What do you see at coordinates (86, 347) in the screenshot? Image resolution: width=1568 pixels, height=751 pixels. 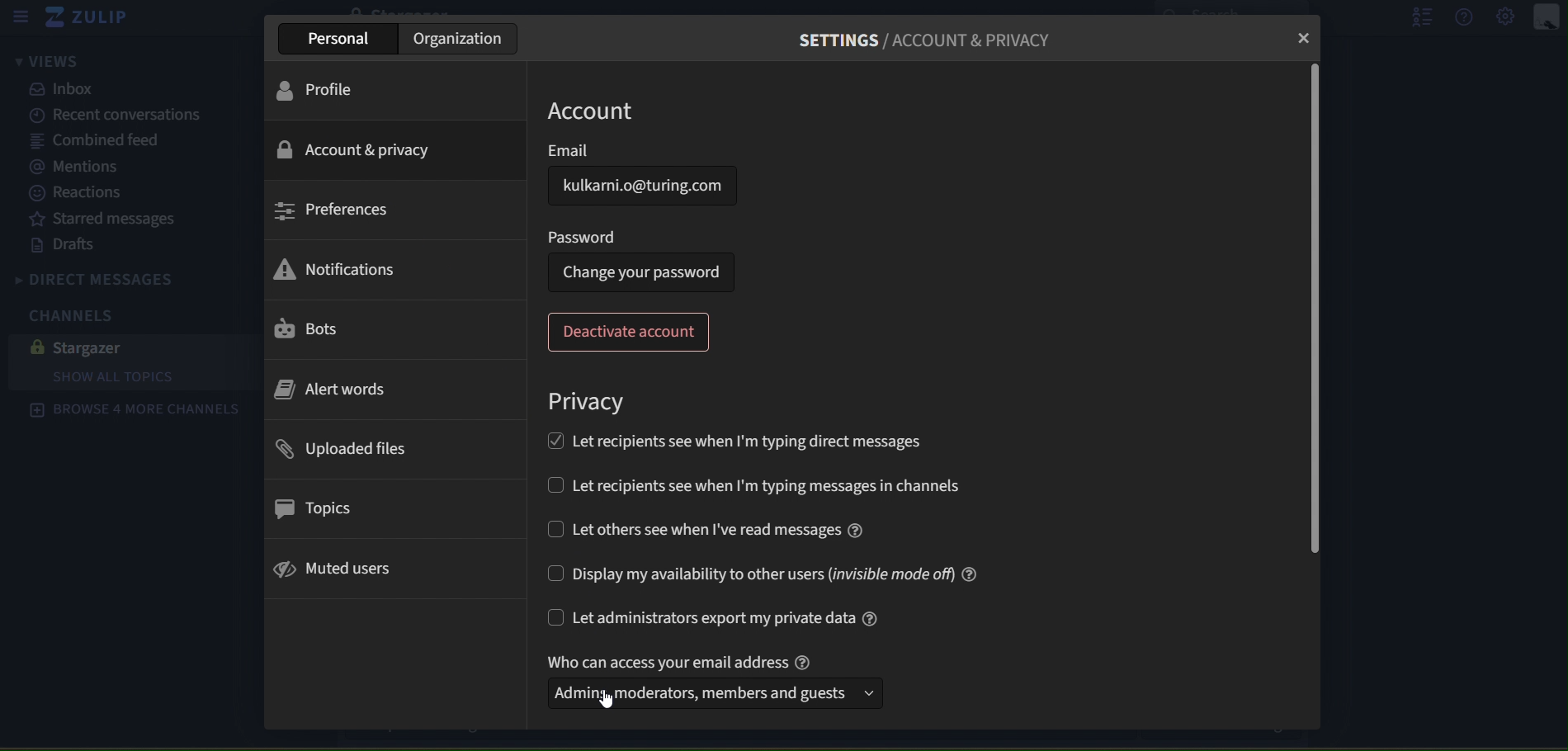 I see `stargazer` at bounding box center [86, 347].